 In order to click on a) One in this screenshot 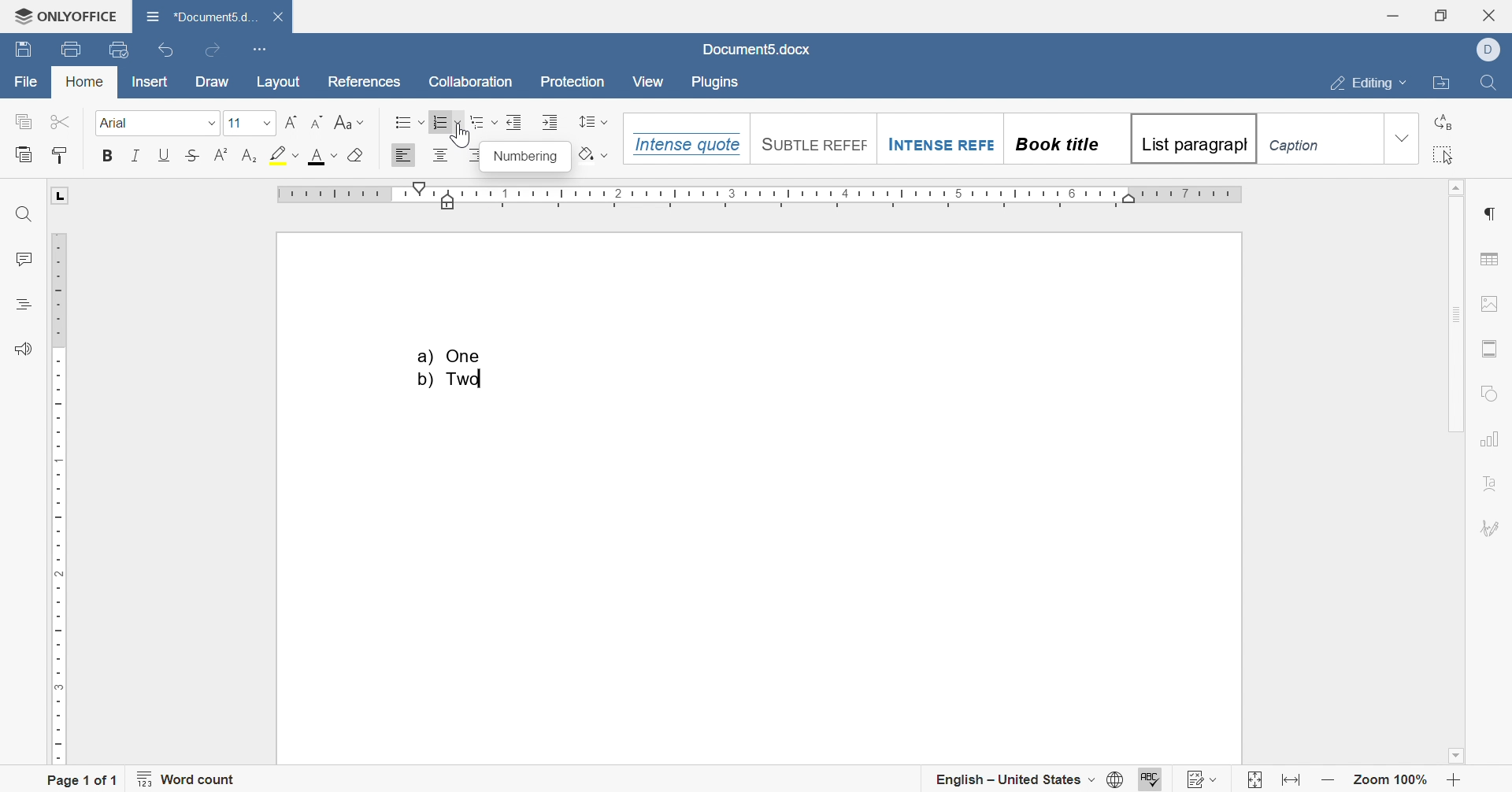, I will do `click(451, 355)`.